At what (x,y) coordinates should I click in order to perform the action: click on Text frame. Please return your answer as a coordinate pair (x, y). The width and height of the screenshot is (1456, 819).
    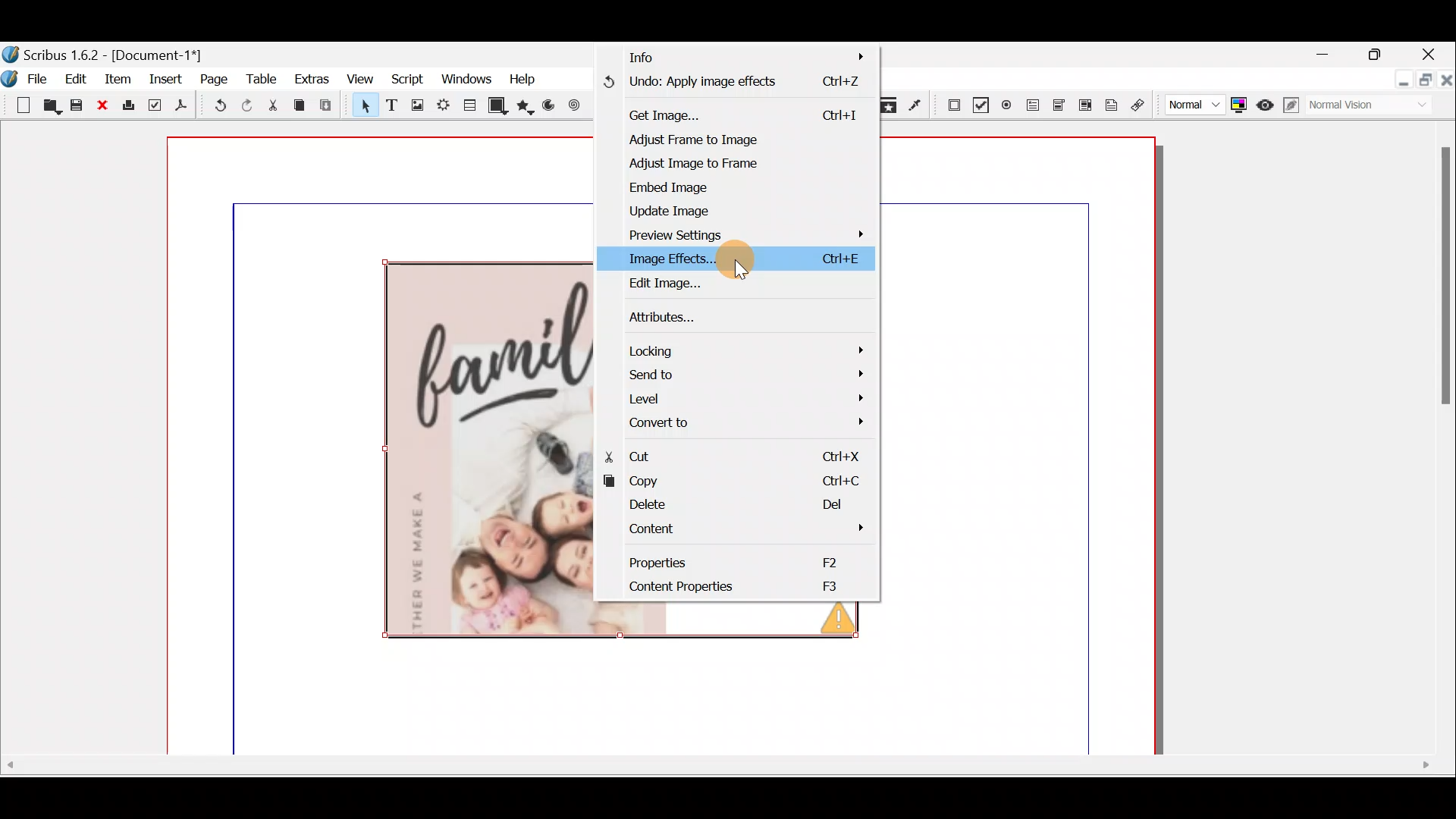
    Looking at the image, I should click on (394, 107).